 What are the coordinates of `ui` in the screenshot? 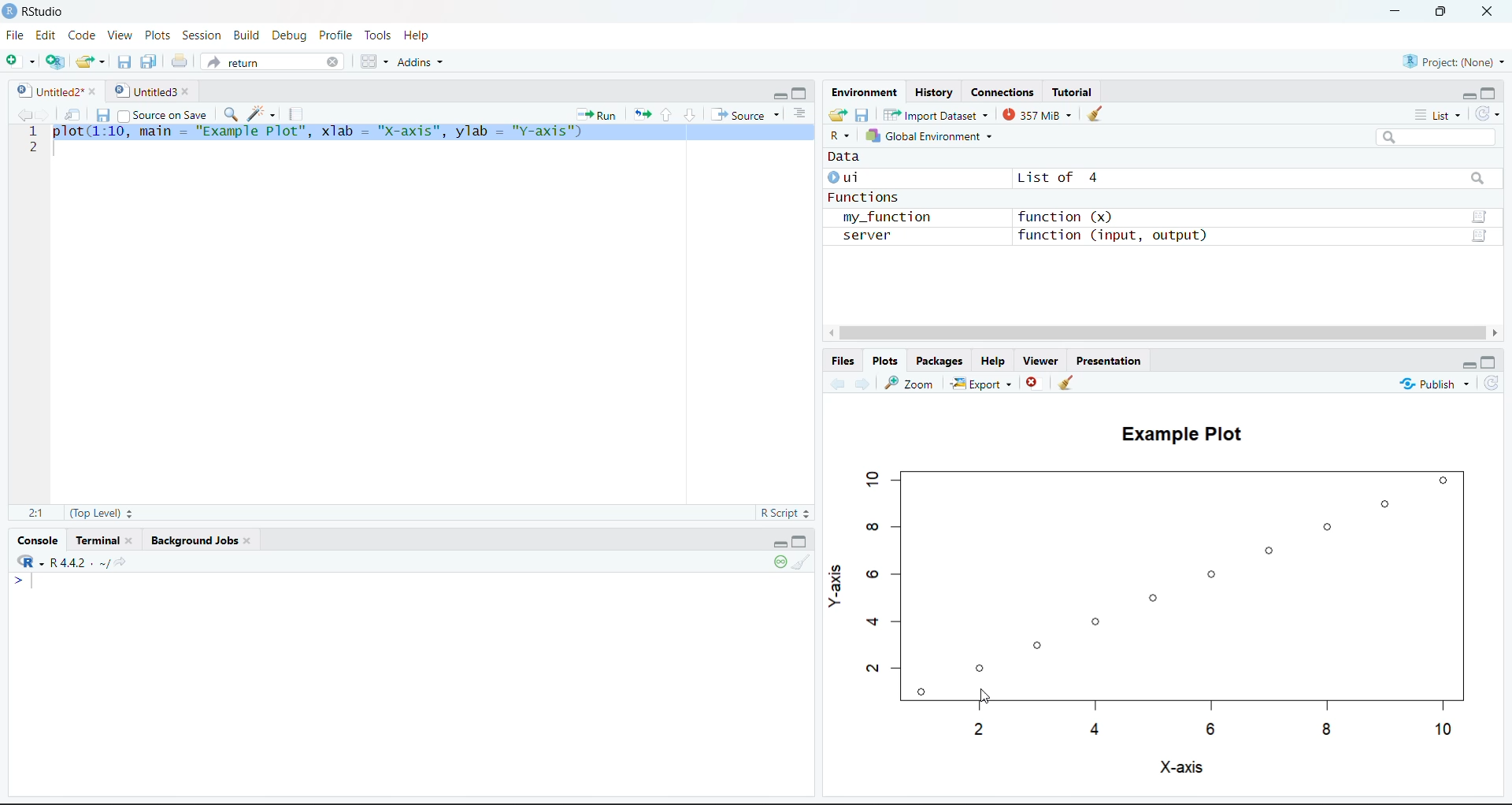 It's located at (849, 177).